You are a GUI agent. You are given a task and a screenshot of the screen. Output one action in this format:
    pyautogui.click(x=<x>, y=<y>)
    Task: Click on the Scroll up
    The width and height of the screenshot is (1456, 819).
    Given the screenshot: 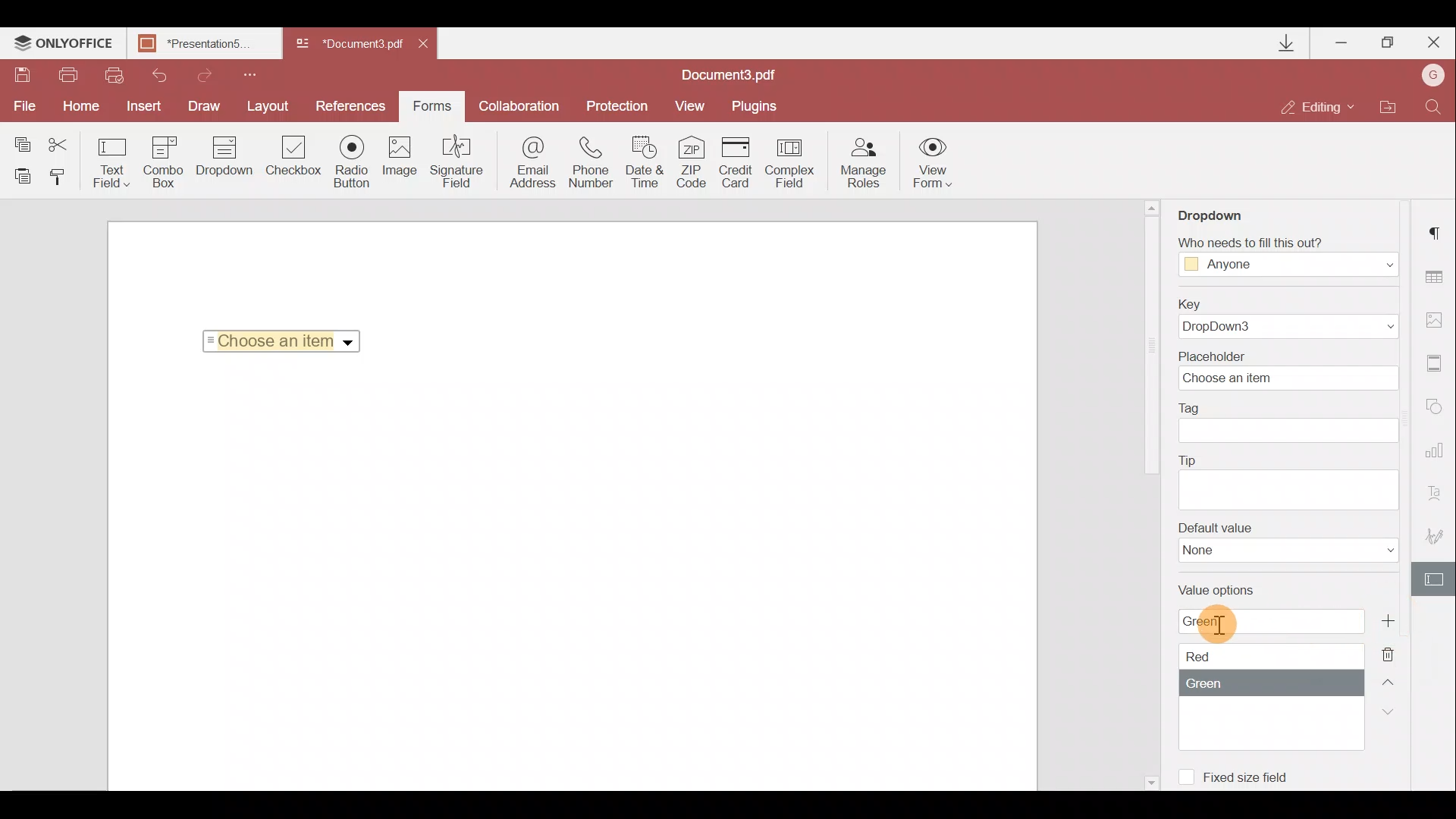 What is the action you would take?
    pyautogui.click(x=1153, y=207)
    